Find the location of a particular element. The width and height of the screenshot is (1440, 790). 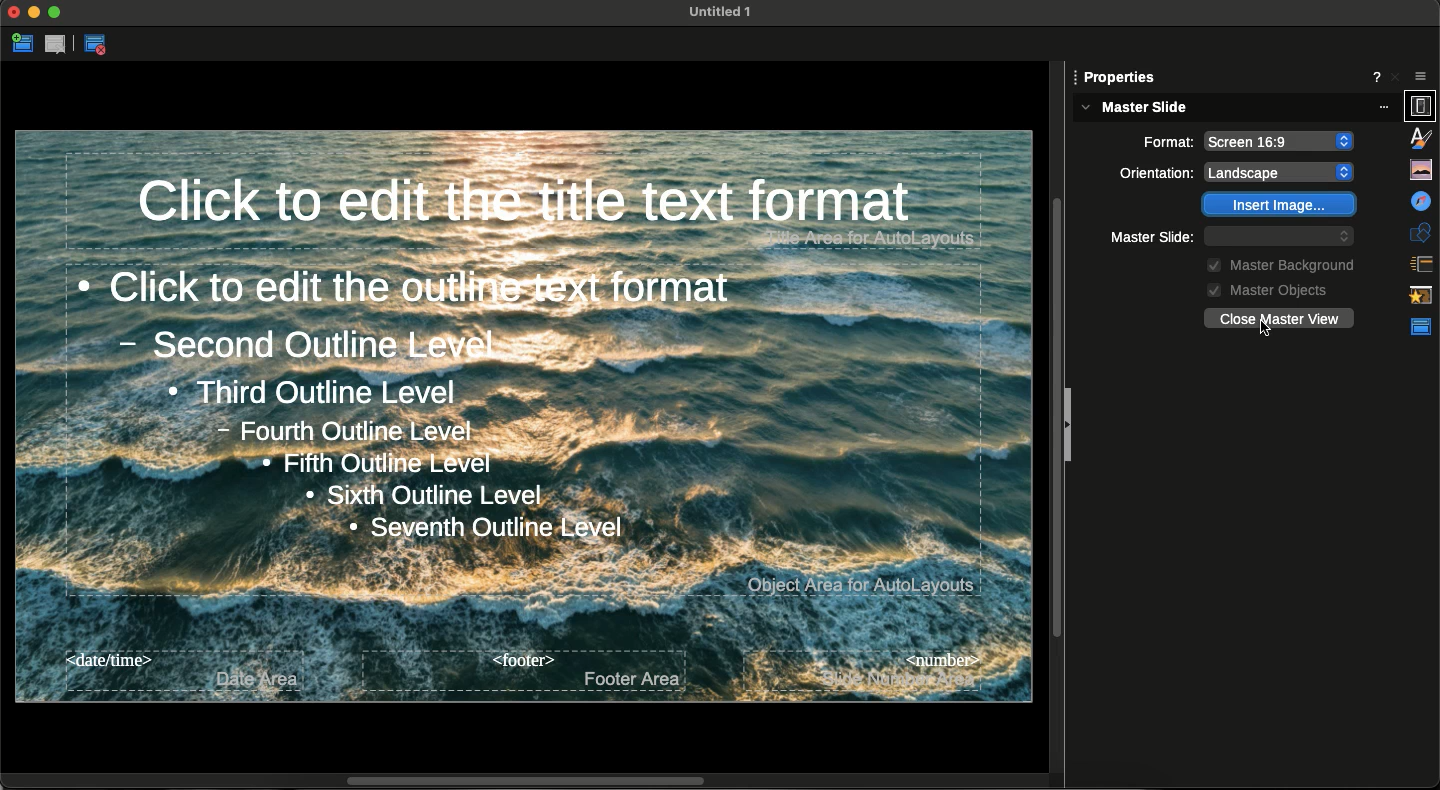

File name is located at coordinates (714, 11).